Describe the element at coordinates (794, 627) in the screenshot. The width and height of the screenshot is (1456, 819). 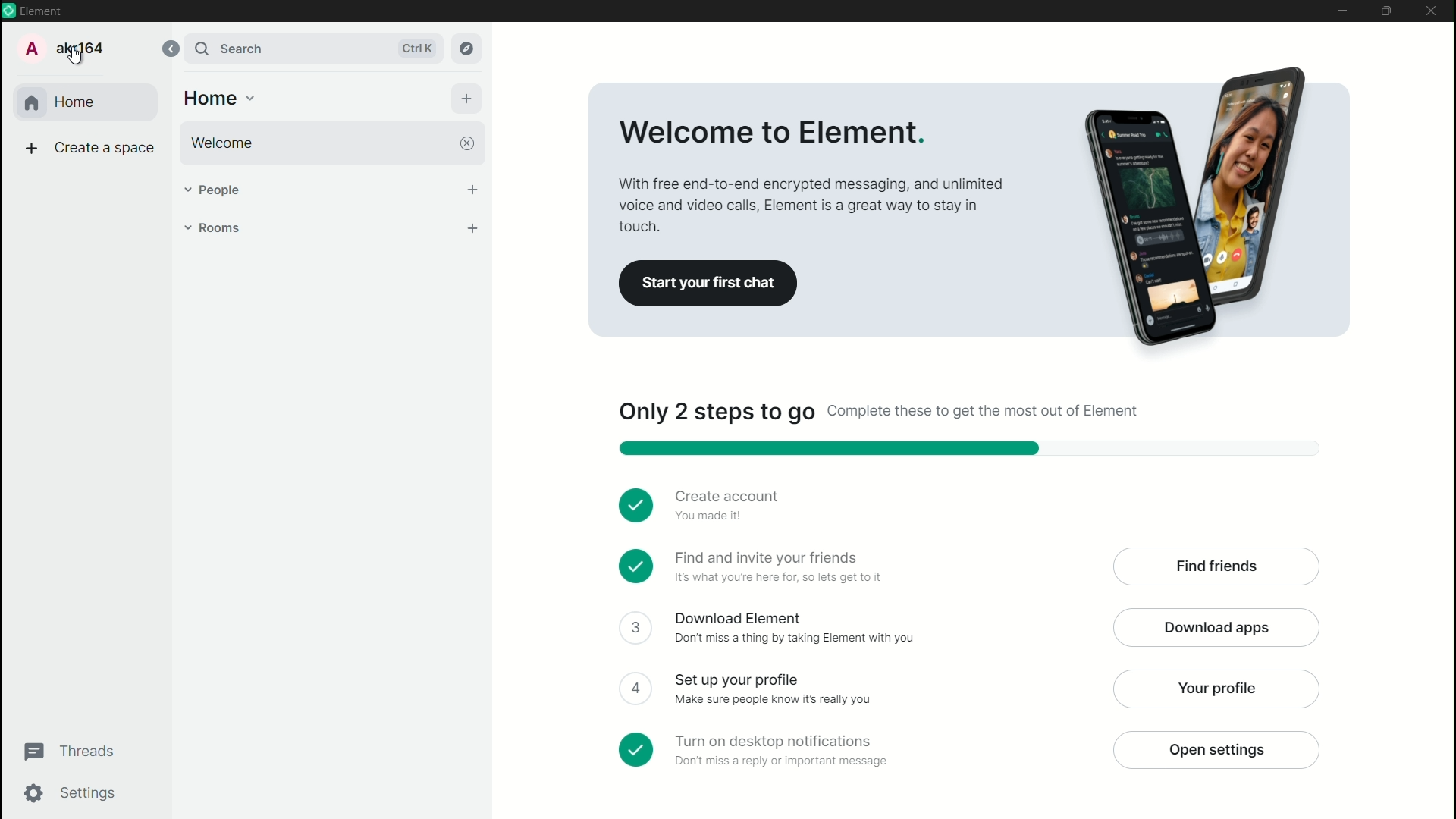
I see `Download element don't miss a thing by taking element with you` at that location.